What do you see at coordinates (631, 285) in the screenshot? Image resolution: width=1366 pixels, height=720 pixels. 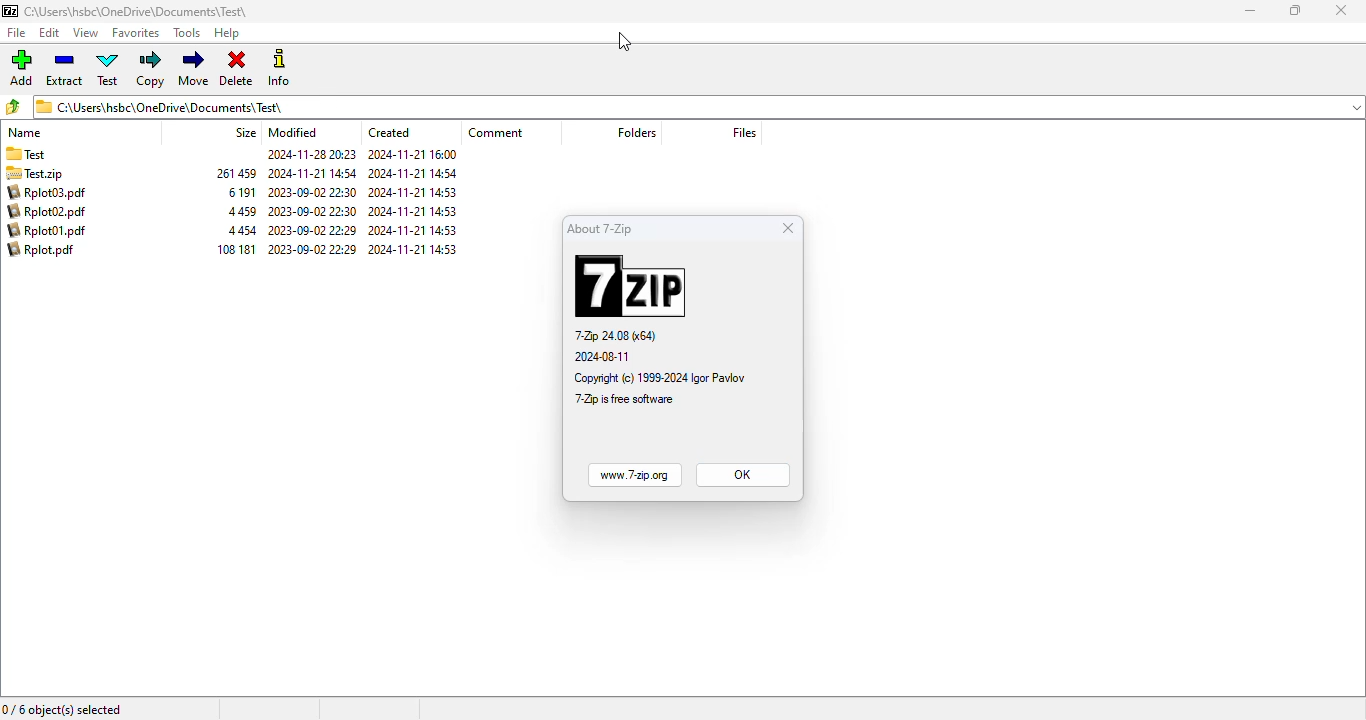 I see `7-Zip logo` at bounding box center [631, 285].